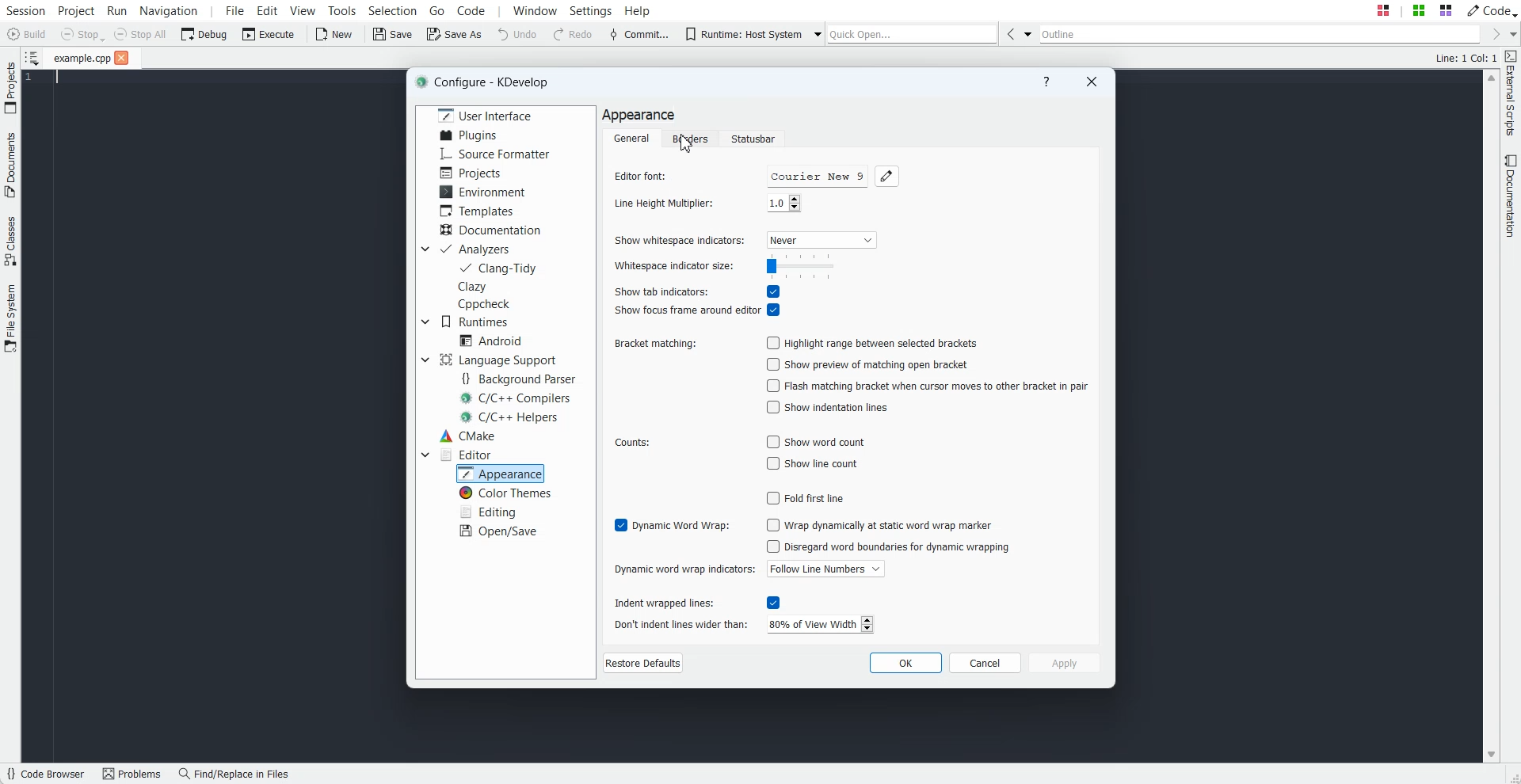  What do you see at coordinates (424, 249) in the screenshot?
I see `Drop down box` at bounding box center [424, 249].